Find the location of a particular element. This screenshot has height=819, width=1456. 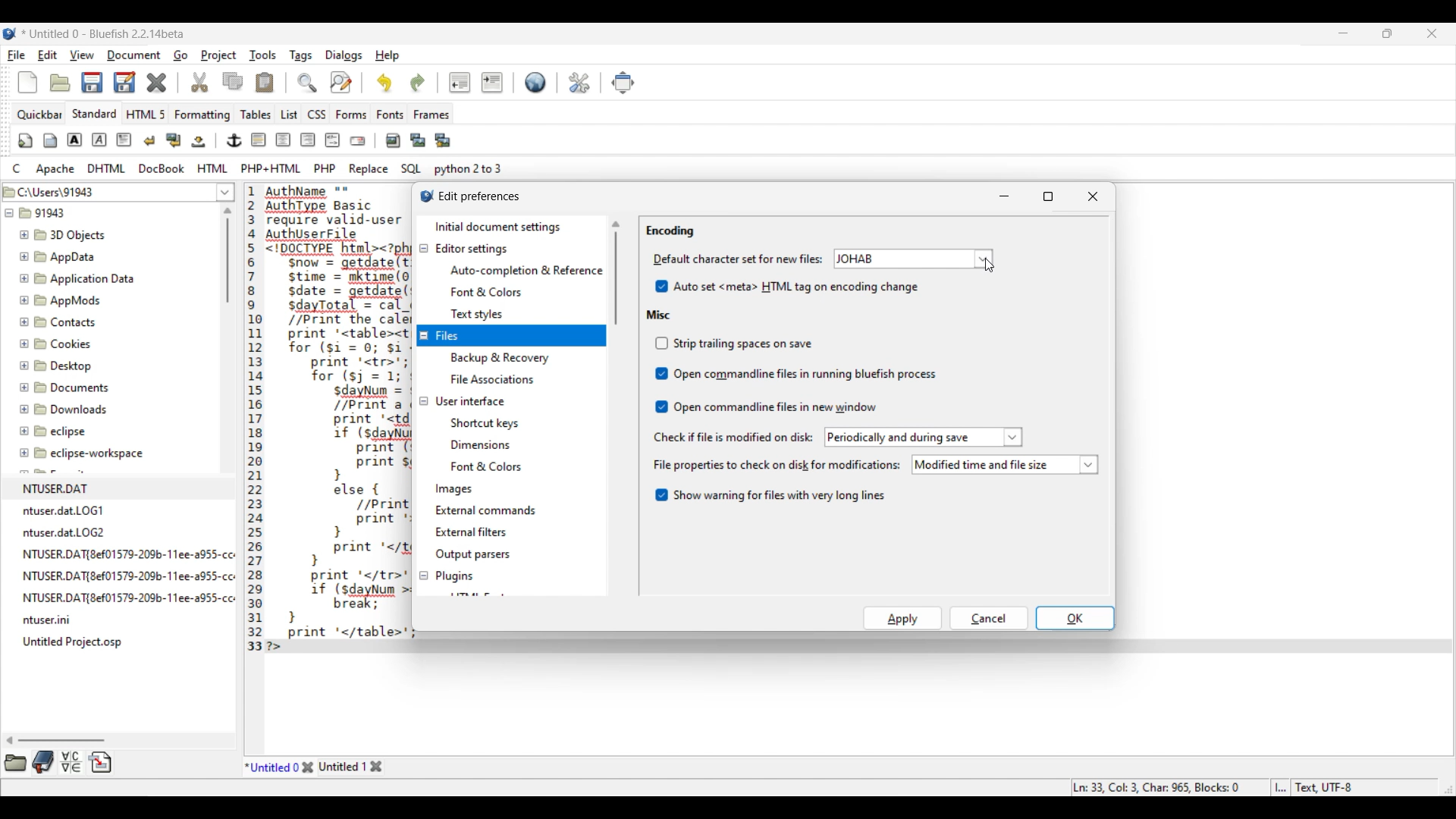

Undo is located at coordinates (384, 83).